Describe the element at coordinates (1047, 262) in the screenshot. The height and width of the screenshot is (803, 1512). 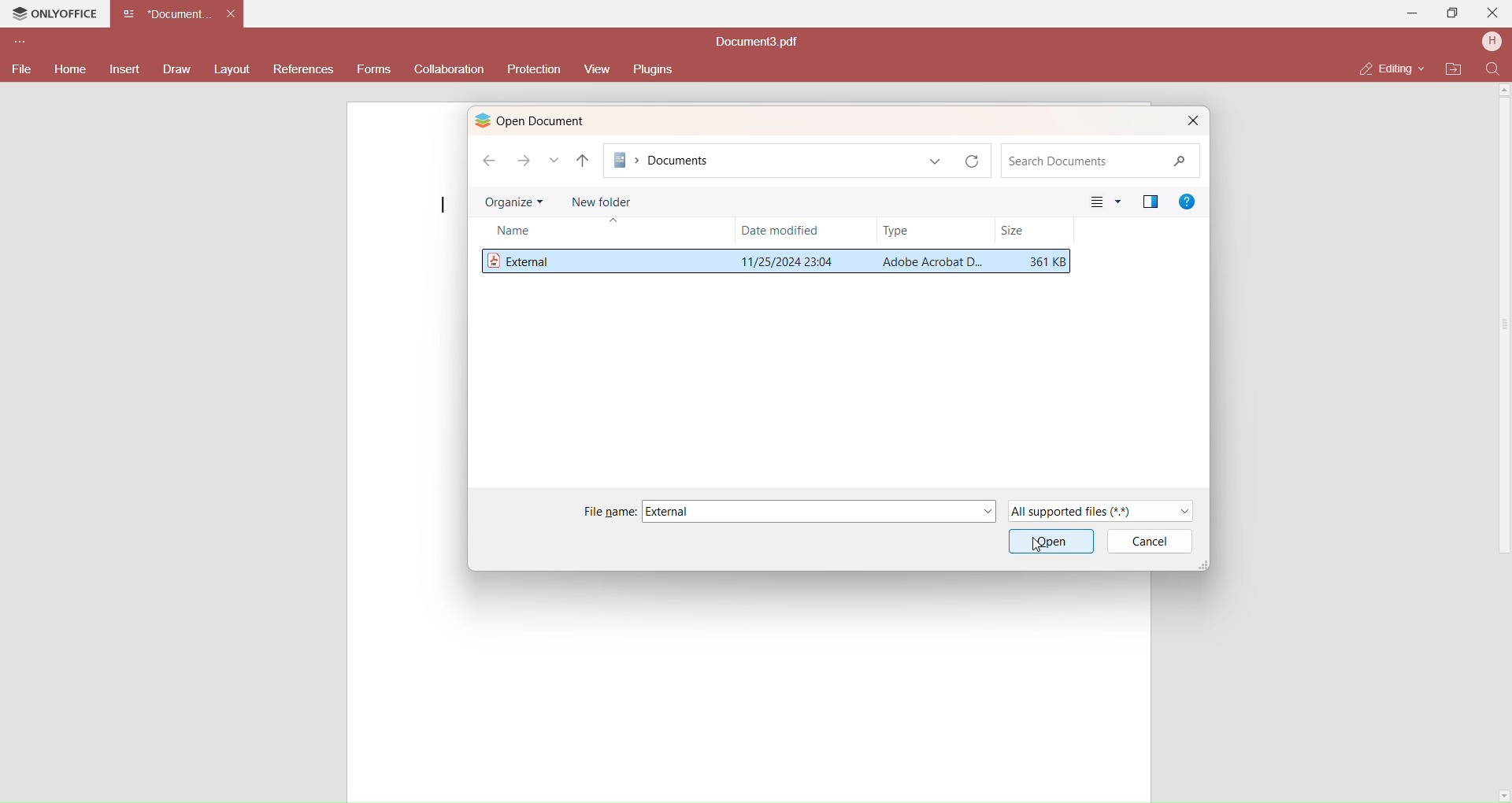
I see `Size` at that location.